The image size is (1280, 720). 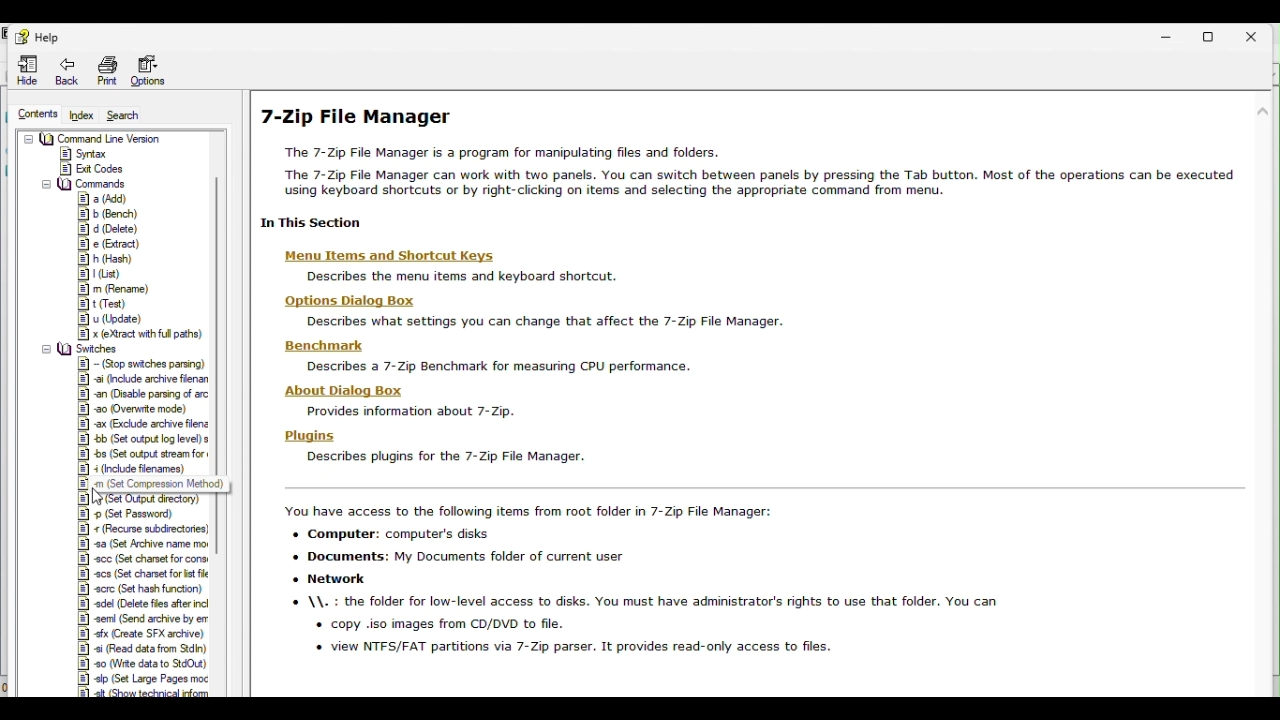 What do you see at coordinates (668, 586) in the screenshot?
I see `description text` at bounding box center [668, 586].